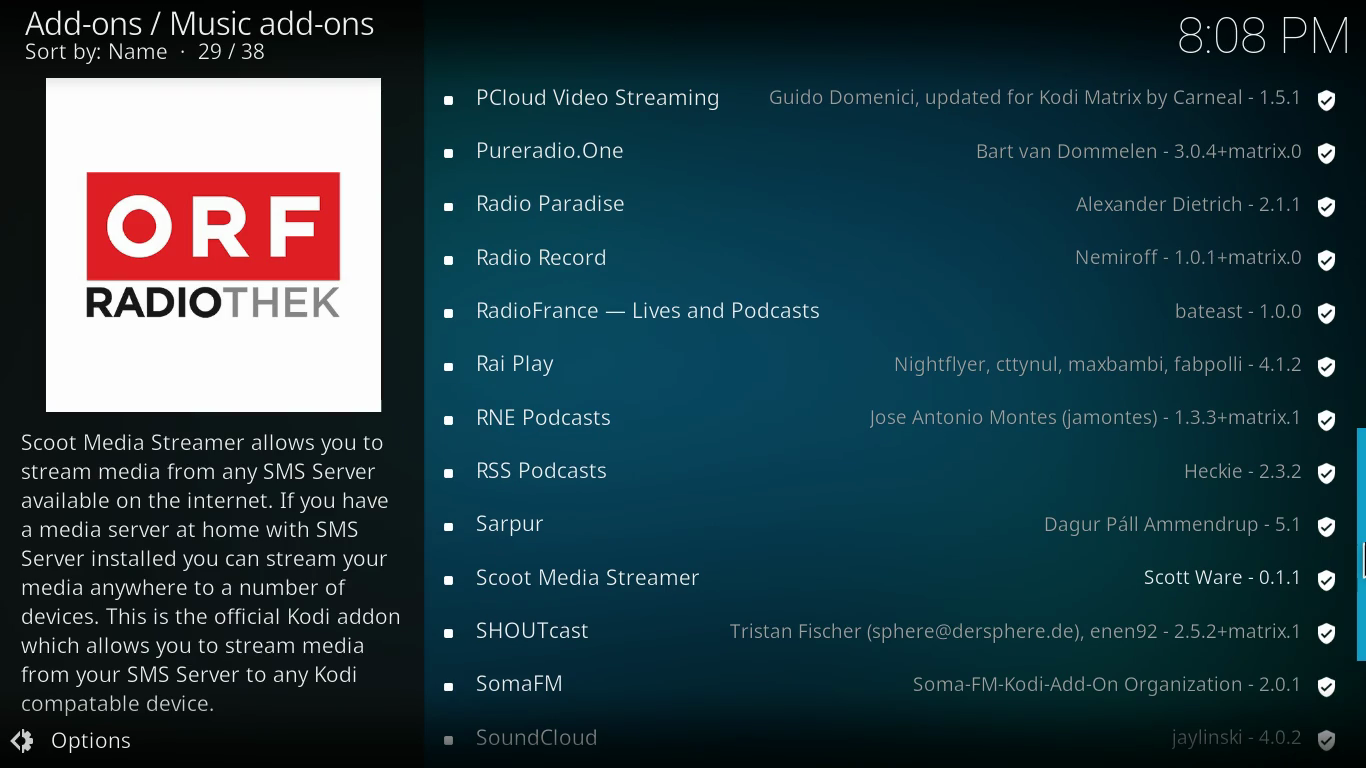 The width and height of the screenshot is (1366, 768). What do you see at coordinates (1210, 257) in the screenshot?
I see `provider` at bounding box center [1210, 257].